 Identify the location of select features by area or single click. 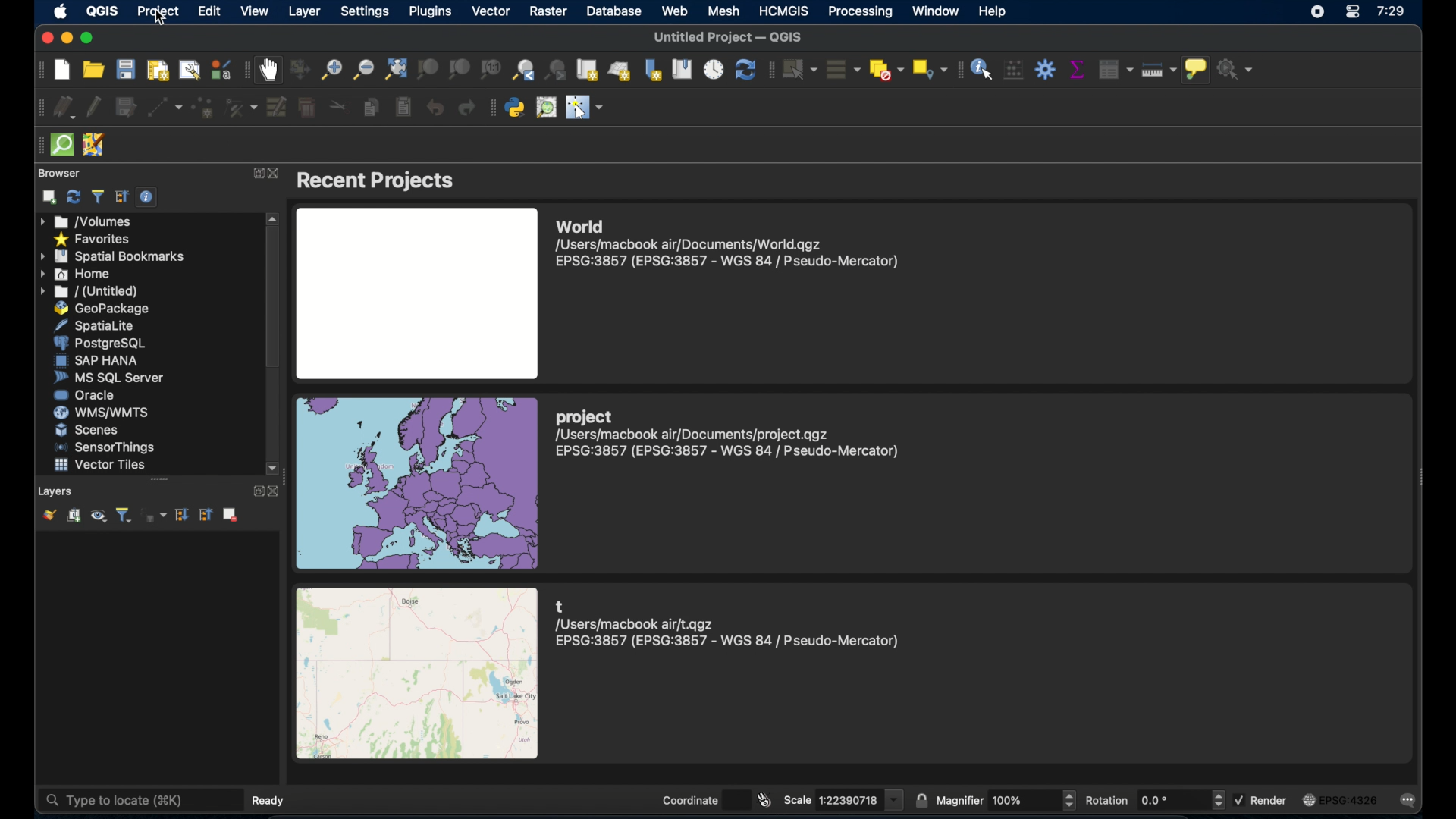
(799, 70).